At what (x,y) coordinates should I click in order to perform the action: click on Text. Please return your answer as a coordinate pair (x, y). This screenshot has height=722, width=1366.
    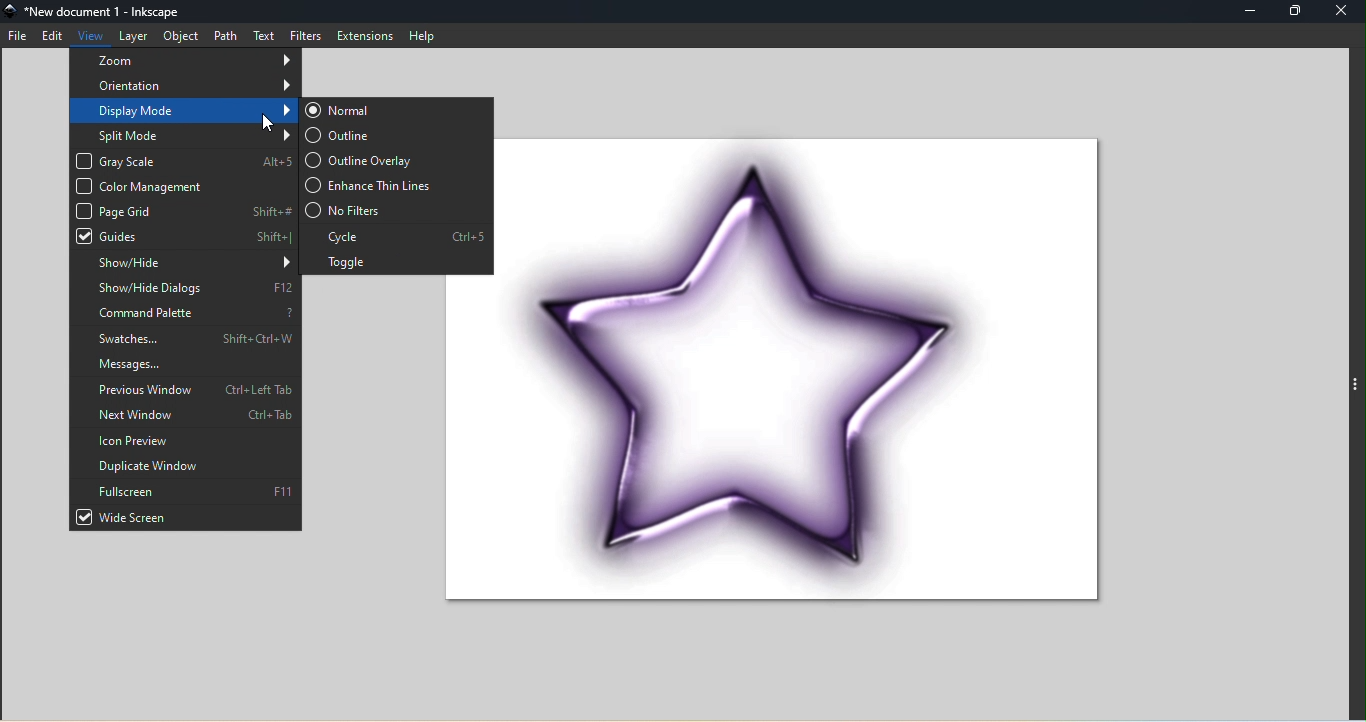
    Looking at the image, I should click on (261, 34).